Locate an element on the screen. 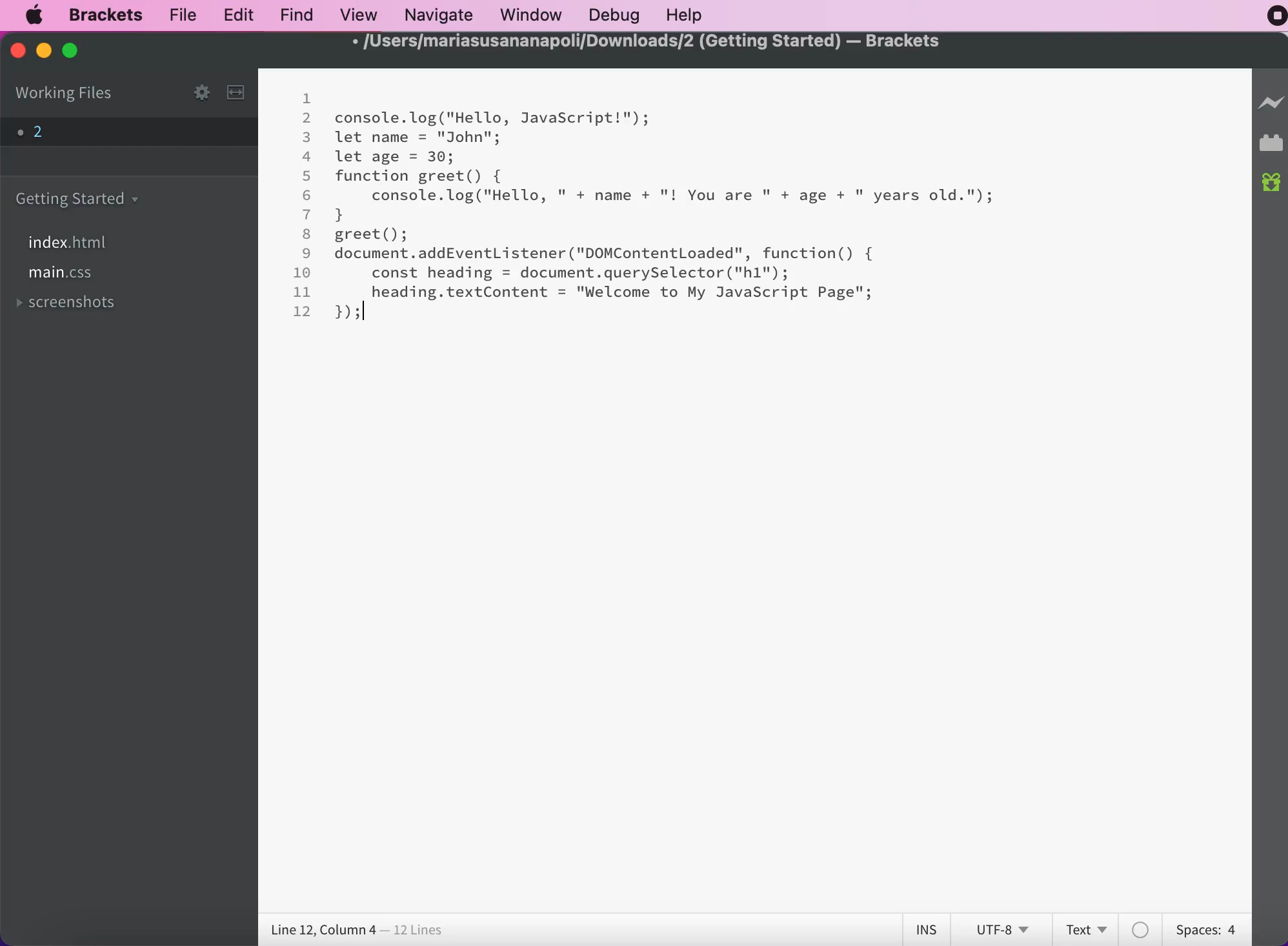 This screenshot has width=1288, height=946. split the editor vertically or horizontally is located at coordinates (235, 94).